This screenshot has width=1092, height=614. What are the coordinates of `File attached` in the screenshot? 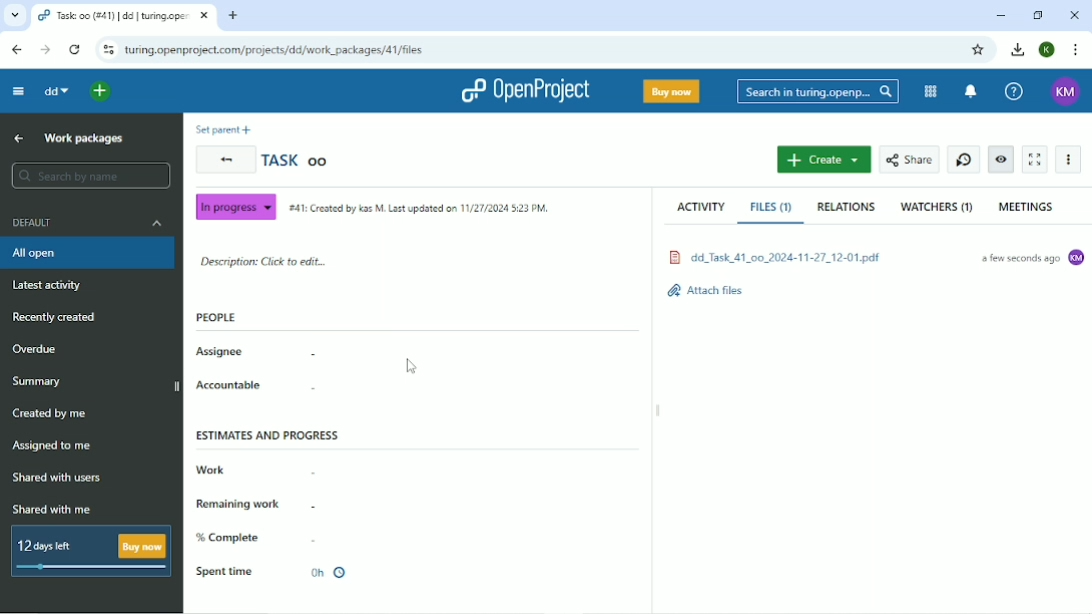 It's located at (875, 258).